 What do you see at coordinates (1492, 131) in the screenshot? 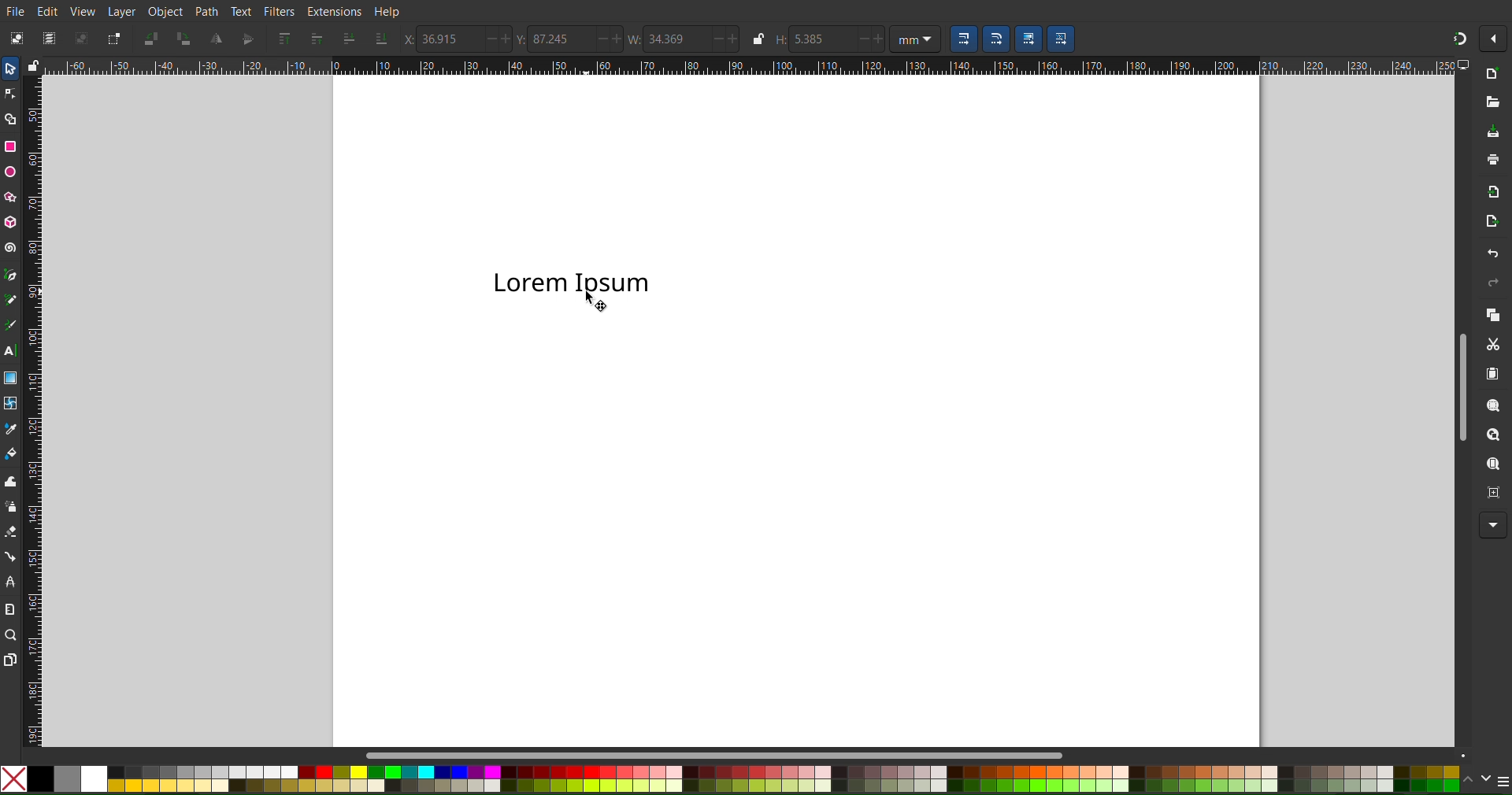
I see `Save` at bounding box center [1492, 131].